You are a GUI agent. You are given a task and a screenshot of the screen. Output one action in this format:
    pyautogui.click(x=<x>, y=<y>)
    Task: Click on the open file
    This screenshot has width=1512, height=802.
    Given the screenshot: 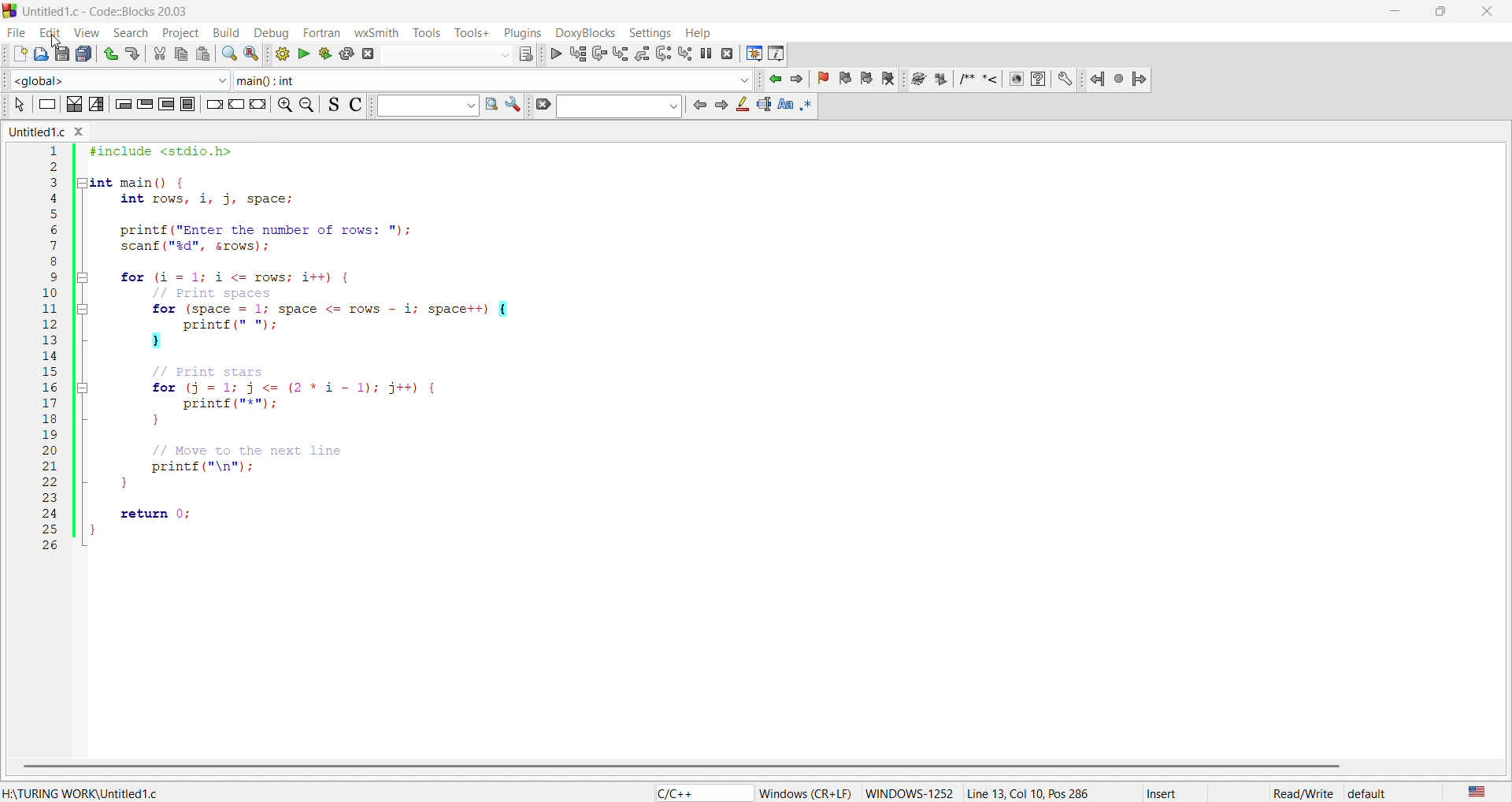 What is the action you would take?
    pyautogui.click(x=40, y=52)
    